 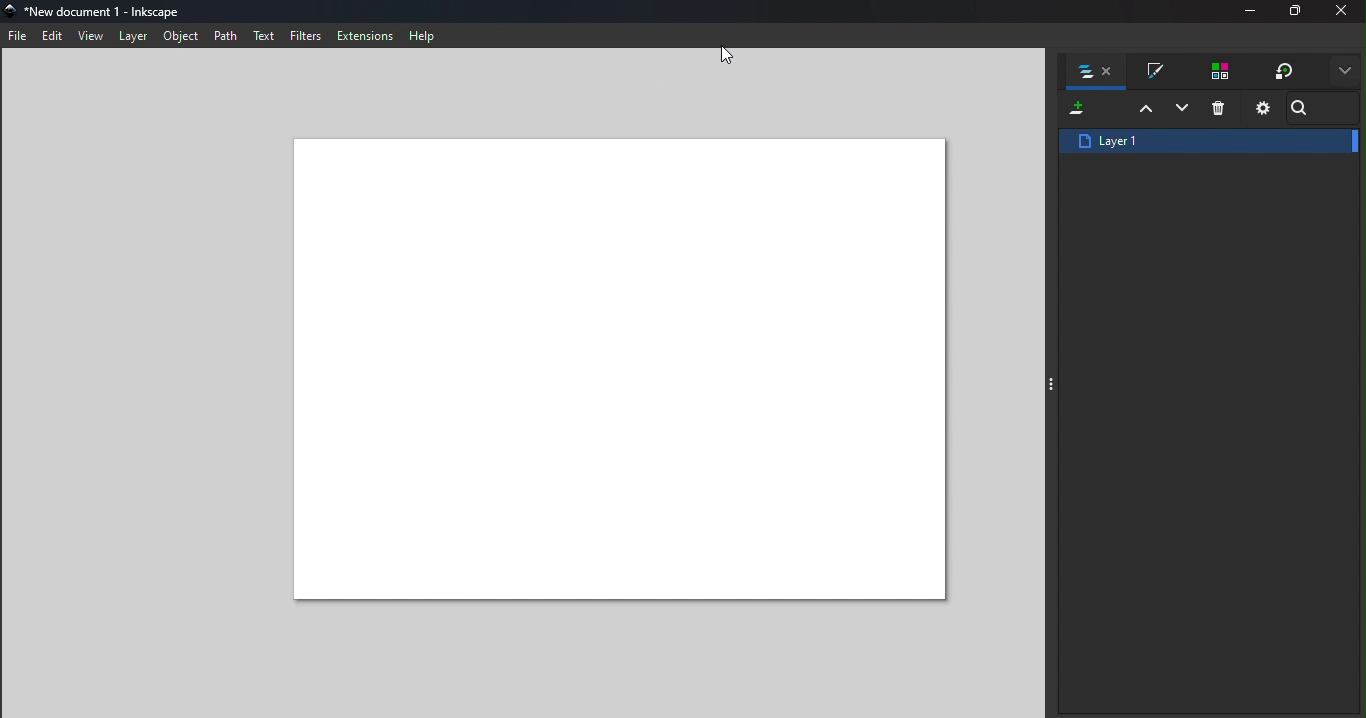 What do you see at coordinates (1345, 12) in the screenshot?
I see `Close` at bounding box center [1345, 12].